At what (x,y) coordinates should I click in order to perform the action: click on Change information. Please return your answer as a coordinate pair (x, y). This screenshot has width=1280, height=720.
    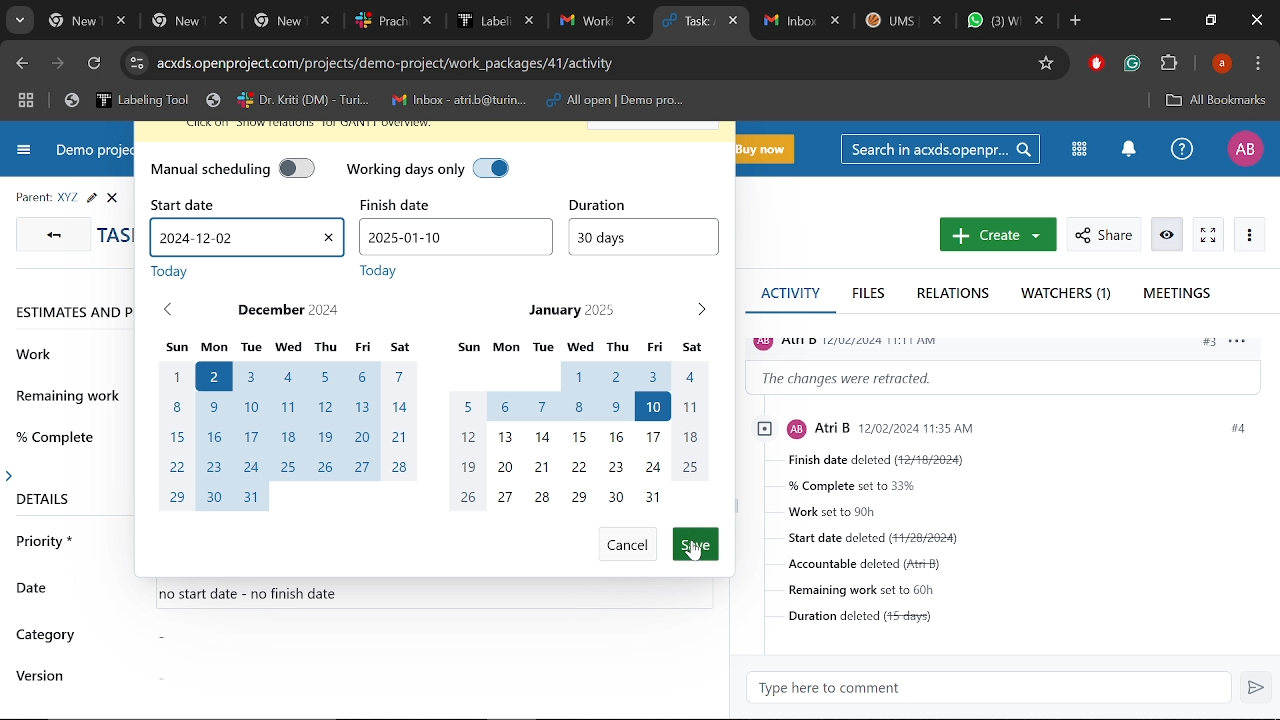
    Looking at the image, I should click on (1006, 377).